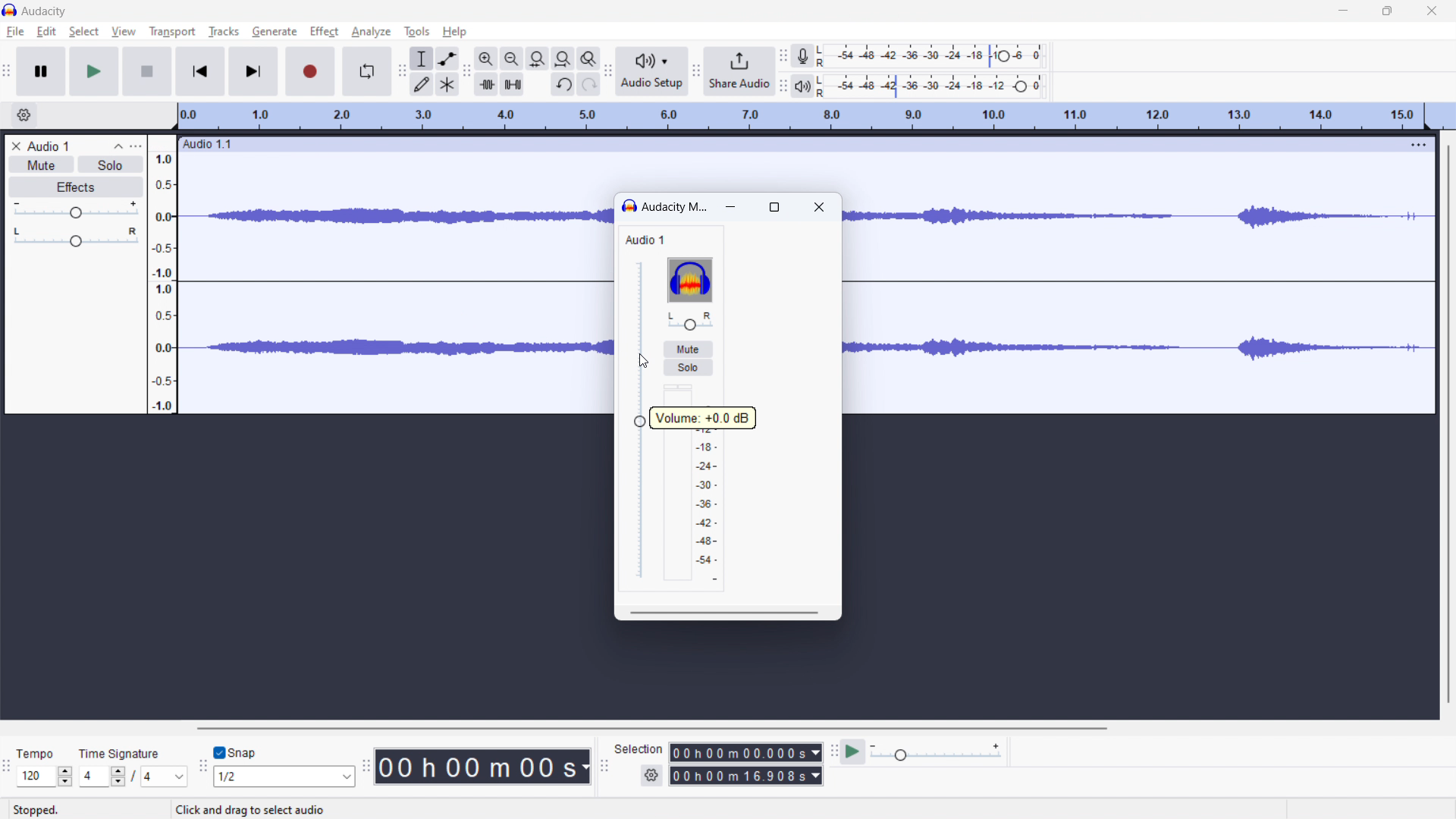 This screenshot has height=819, width=1456. Describe the element at coordinates (733, 209) in the screenshot. I see `minimize` at that location.